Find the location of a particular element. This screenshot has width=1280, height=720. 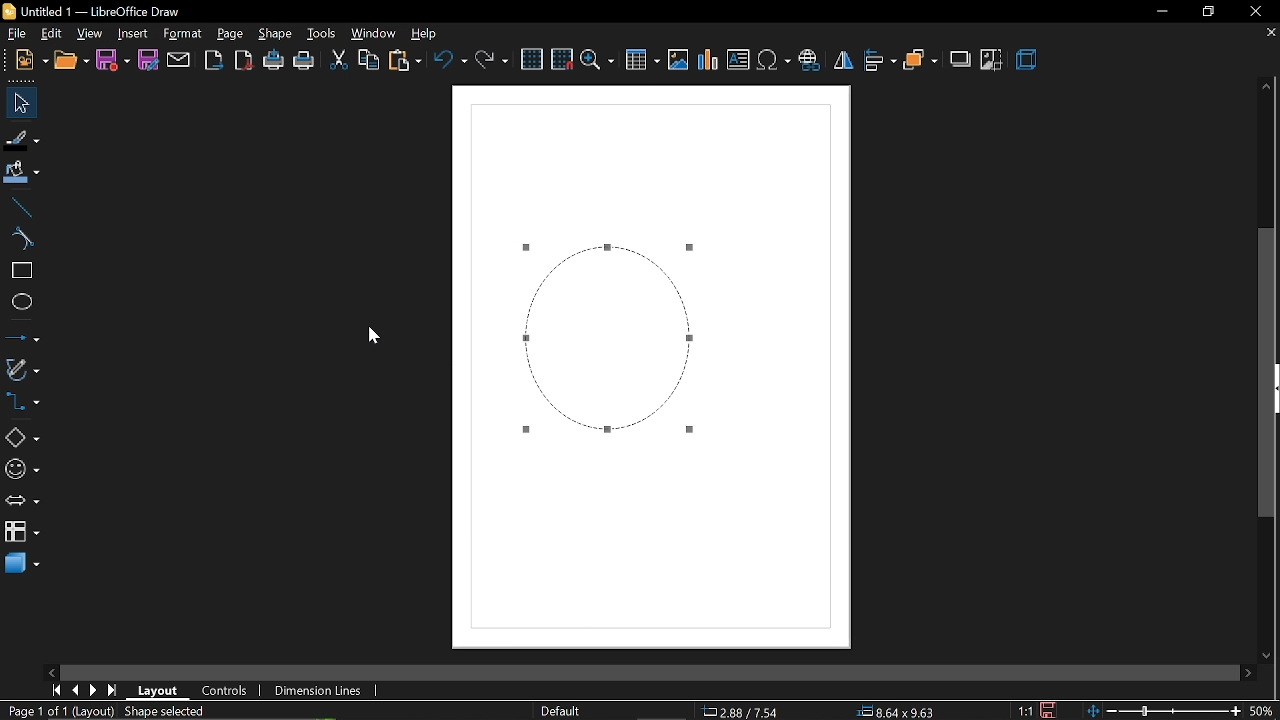

shadow is located at coordinates (961, 59).